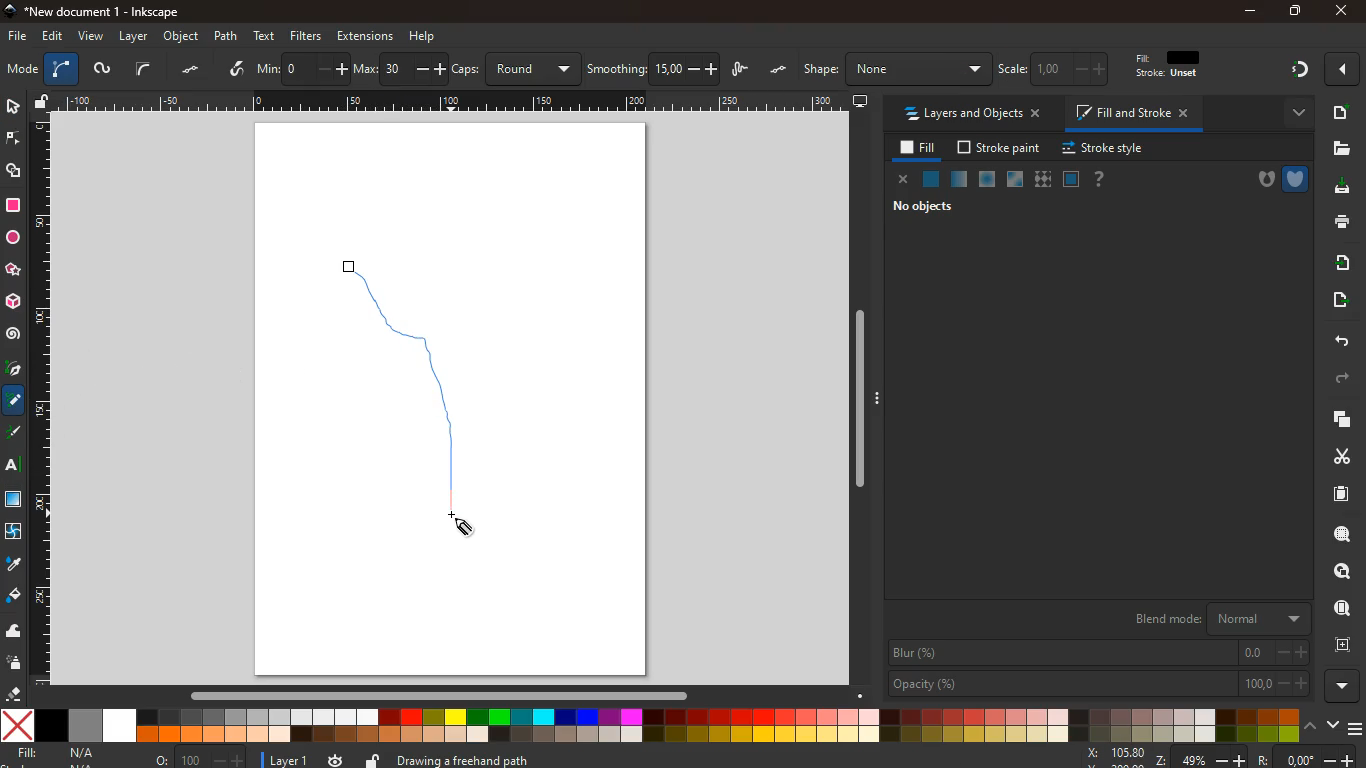  Describe the element at coordinates (426, 399) in the screenshot. I see `draw` at that location.